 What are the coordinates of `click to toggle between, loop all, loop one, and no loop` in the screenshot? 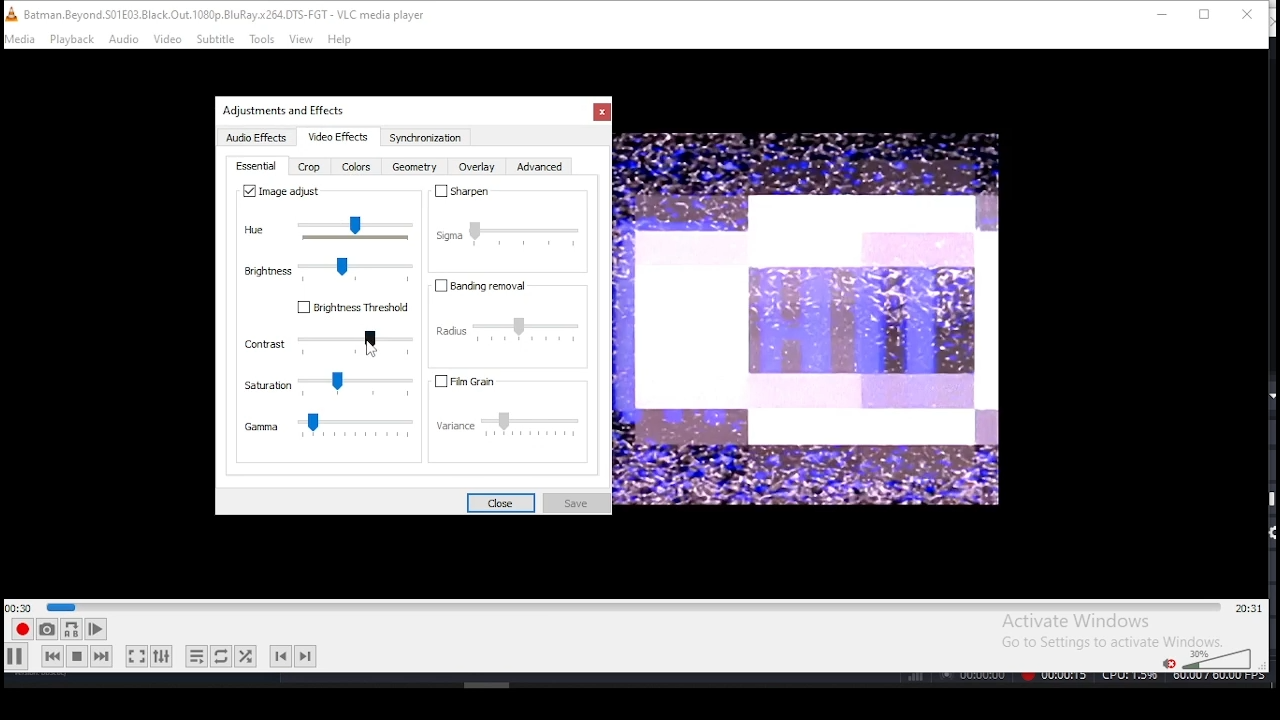 It's located at (219, 657).